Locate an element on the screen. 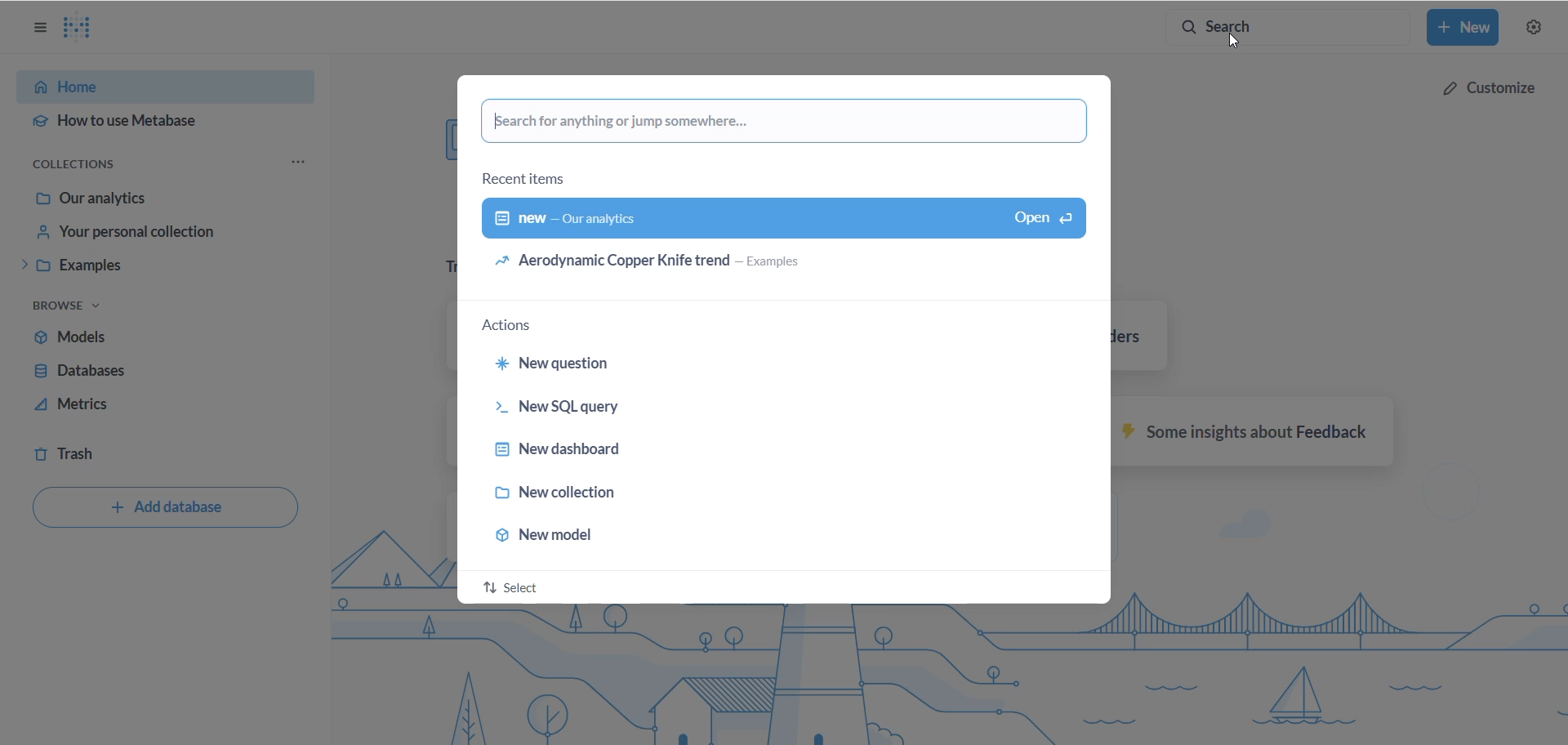 The height and width of the screenshot is (745, 1568). databases is located at coordinates (100, 372).